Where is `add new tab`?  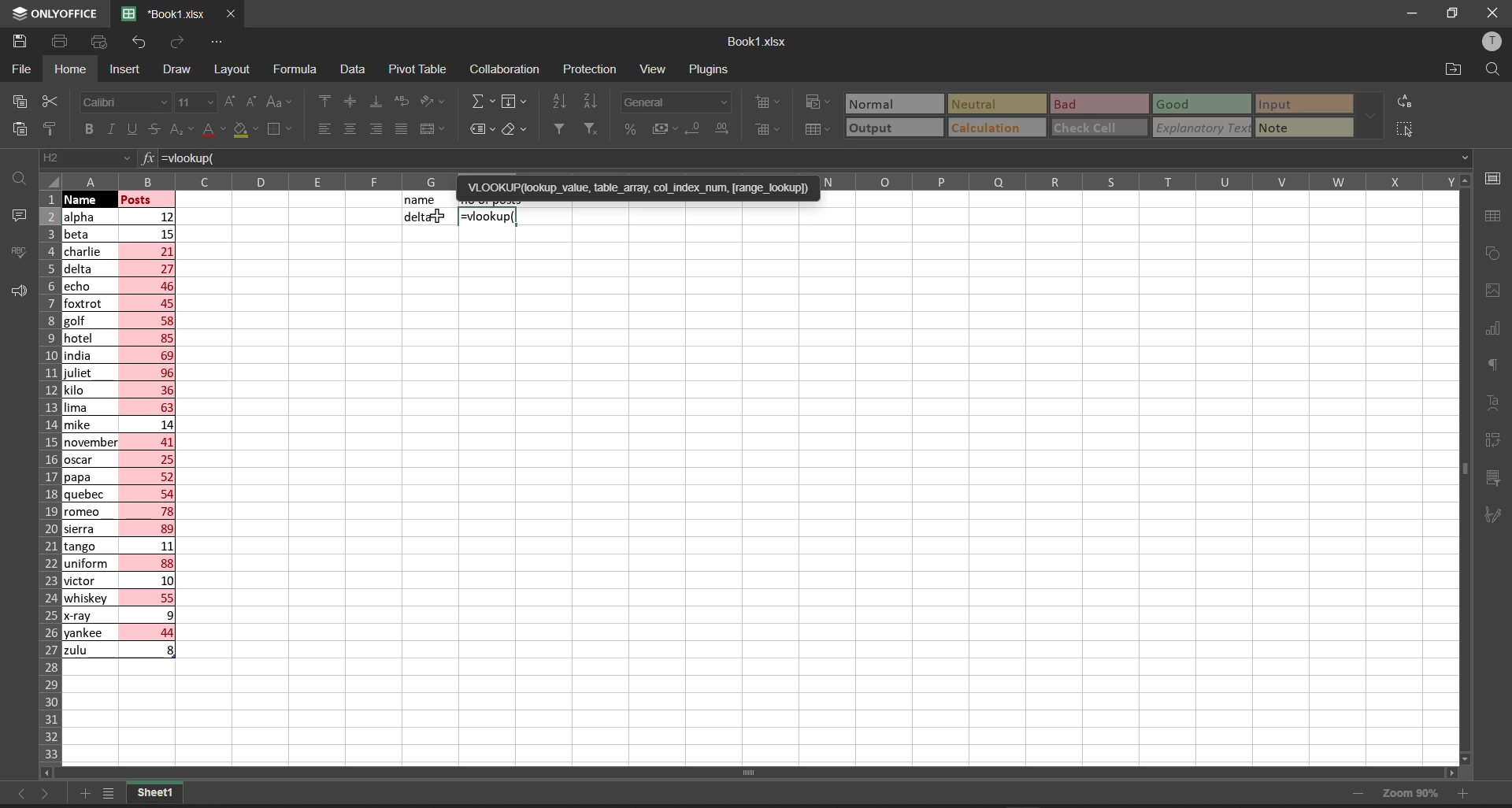 add new tab is located at coordinates (87, 791).